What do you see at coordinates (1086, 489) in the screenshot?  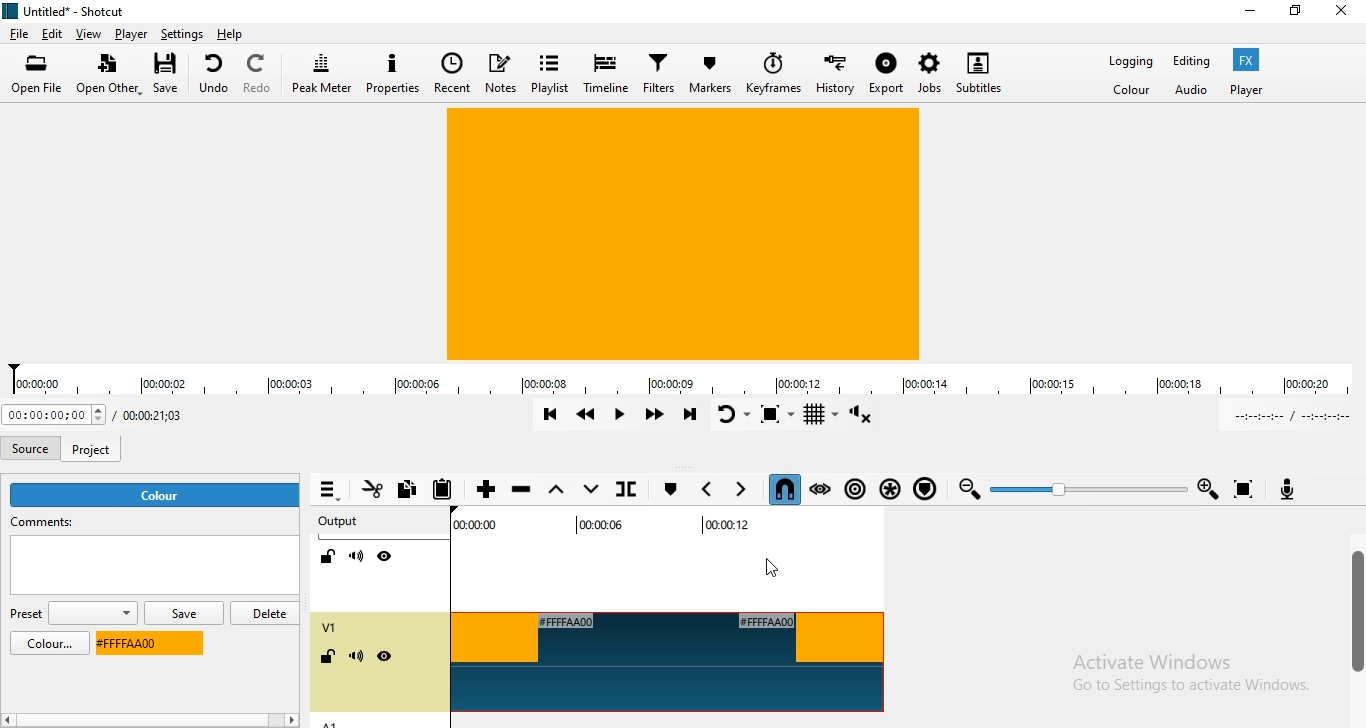 I see `` at bounding box center [1086, 489].